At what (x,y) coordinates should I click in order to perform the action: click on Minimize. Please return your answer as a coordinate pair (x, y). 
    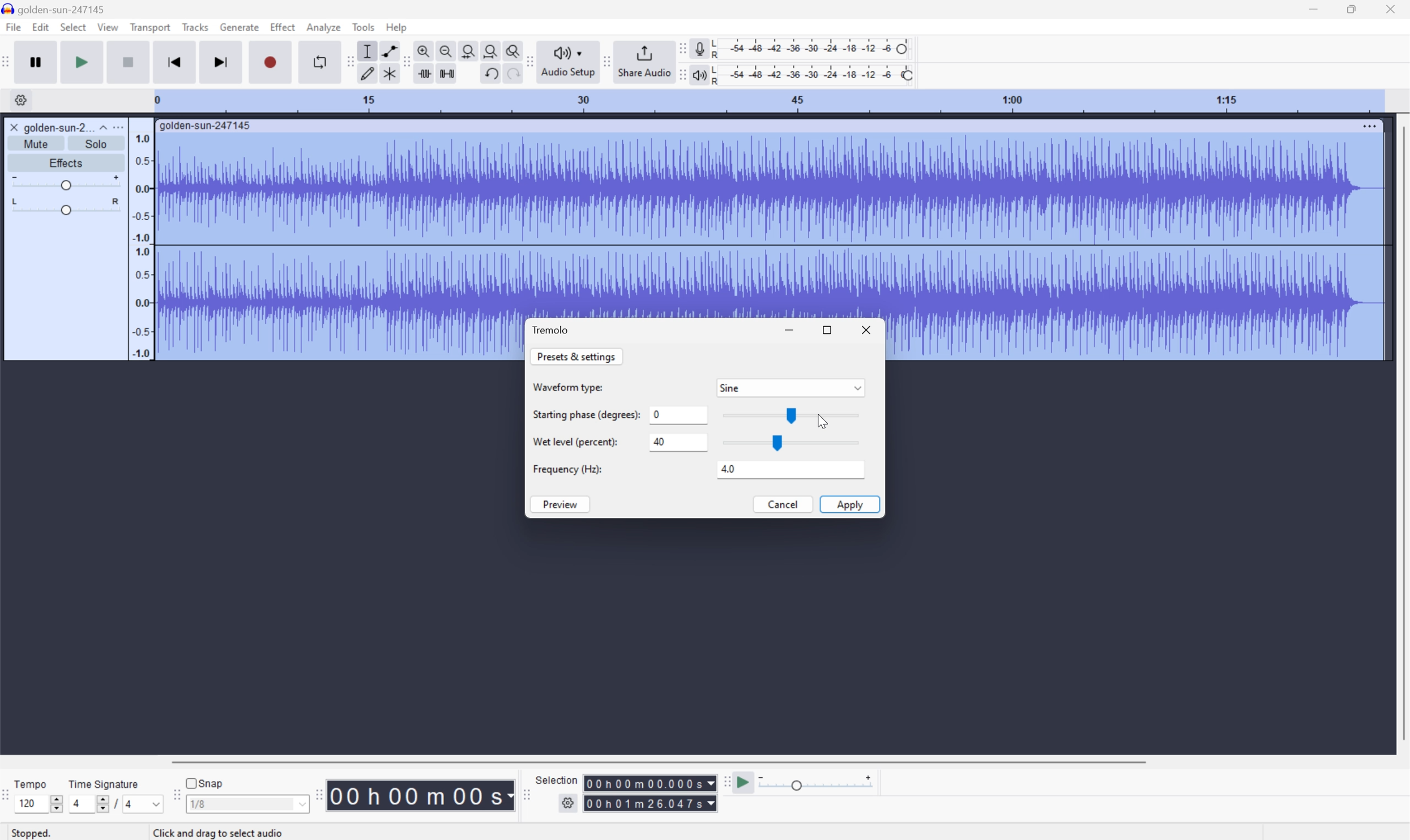
    Looking at the image, I should click on (1313, 8).